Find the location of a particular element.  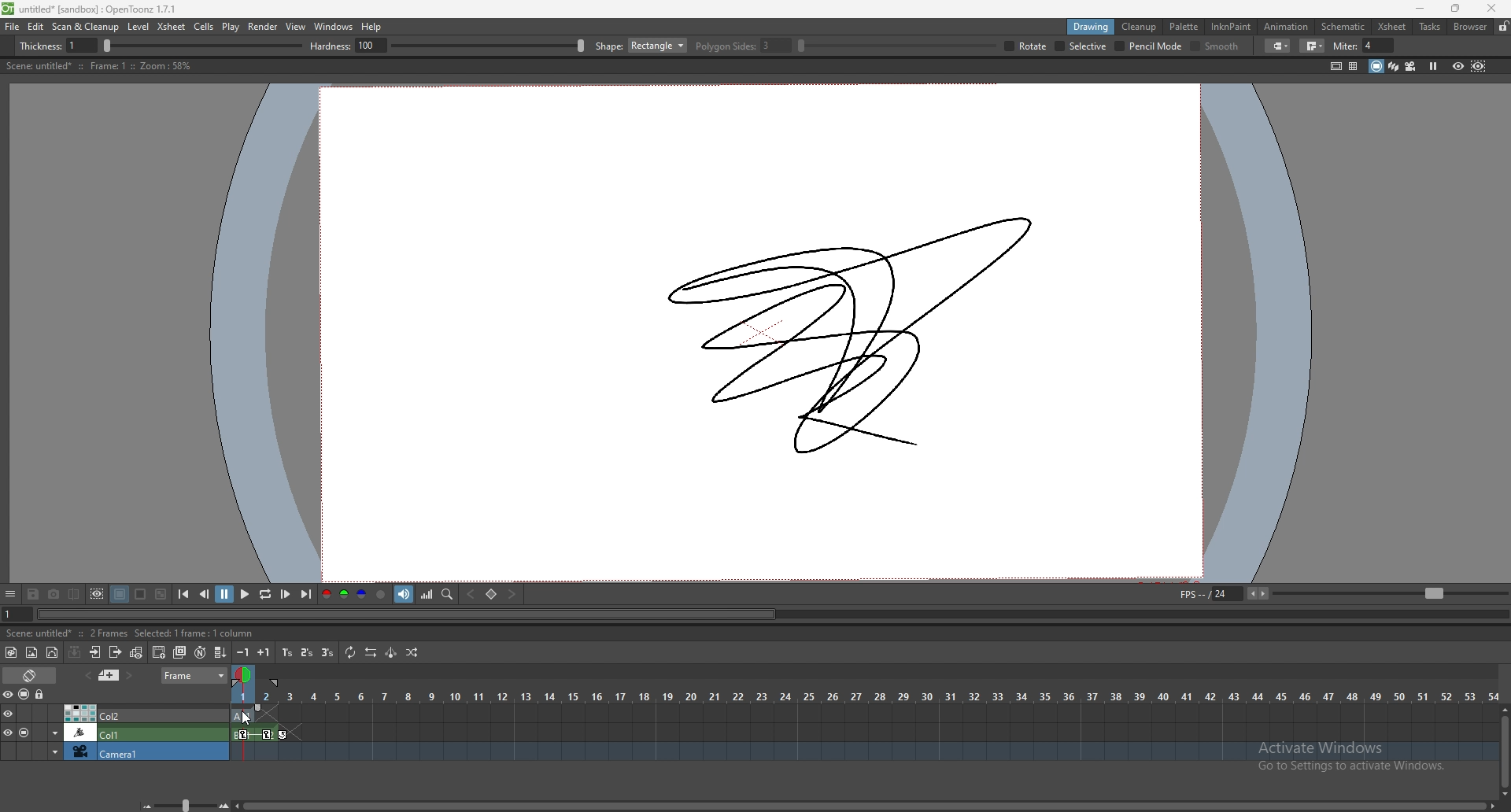

random is located at coordinates (412, 652).